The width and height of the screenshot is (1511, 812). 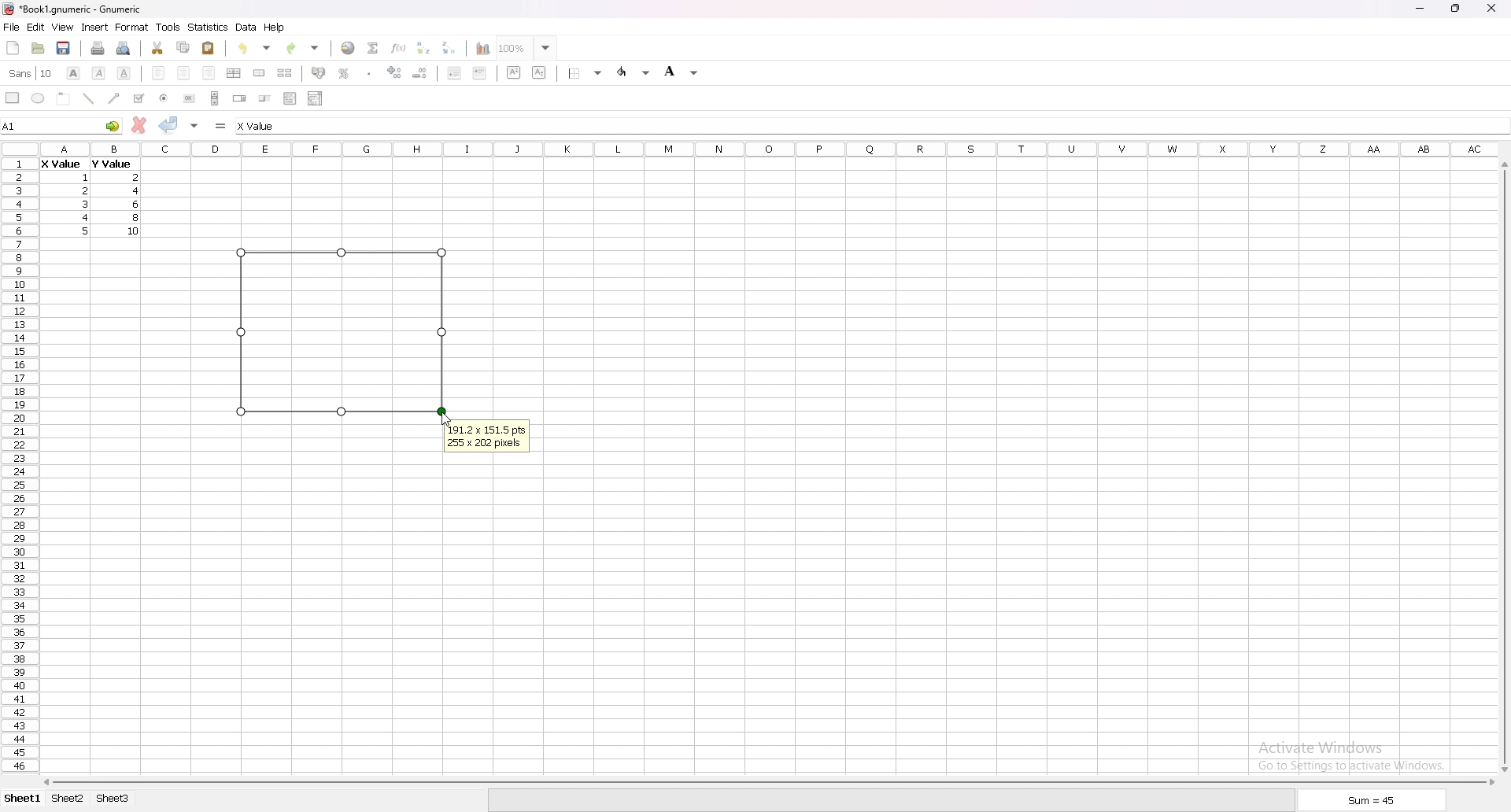 What do you see at coordinates (140, 191) in the screenshot?
I see `value` at bounding box center [140, 191].